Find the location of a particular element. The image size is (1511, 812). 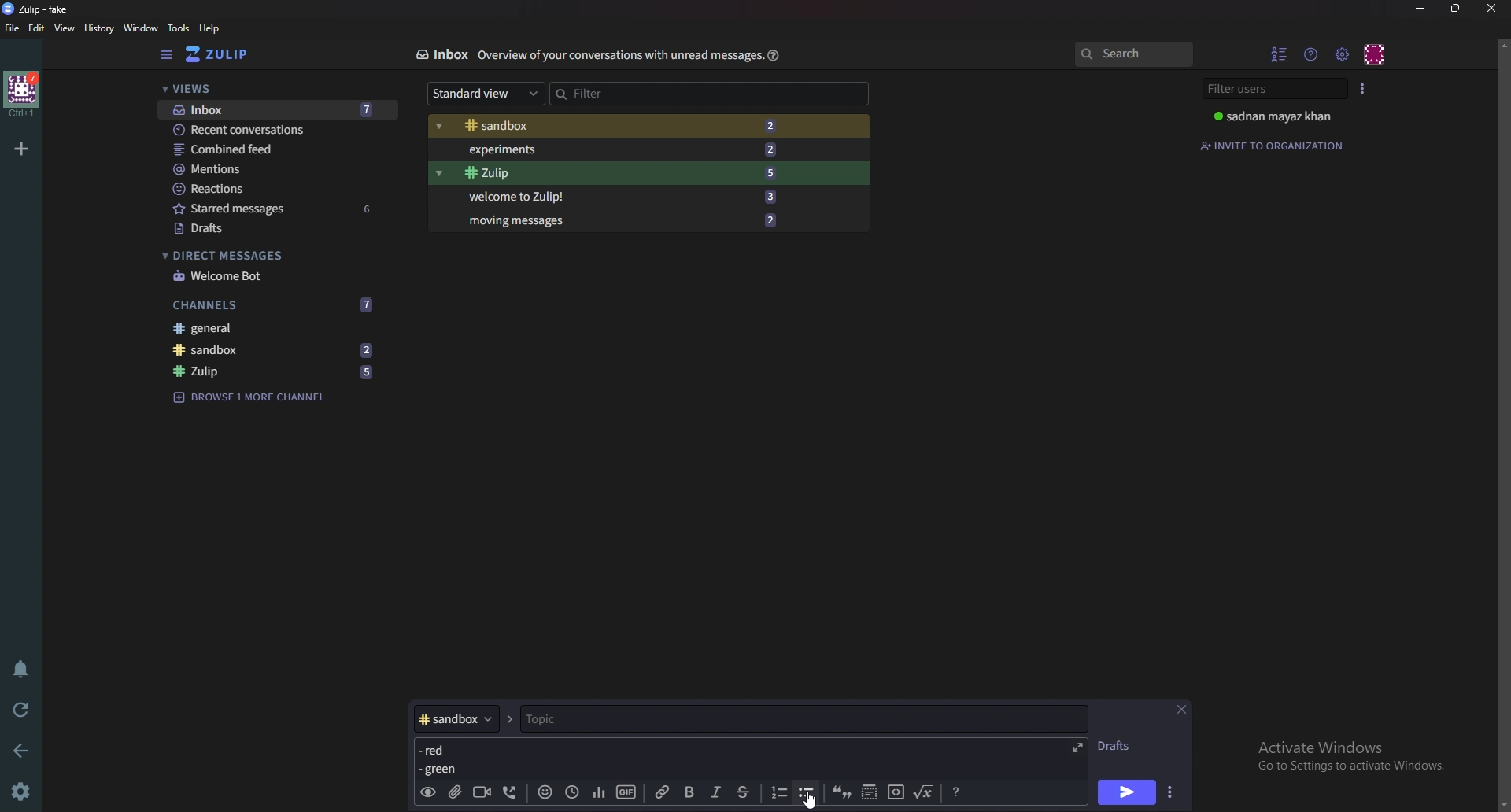

Standard view is located at coordinates (486, 92).